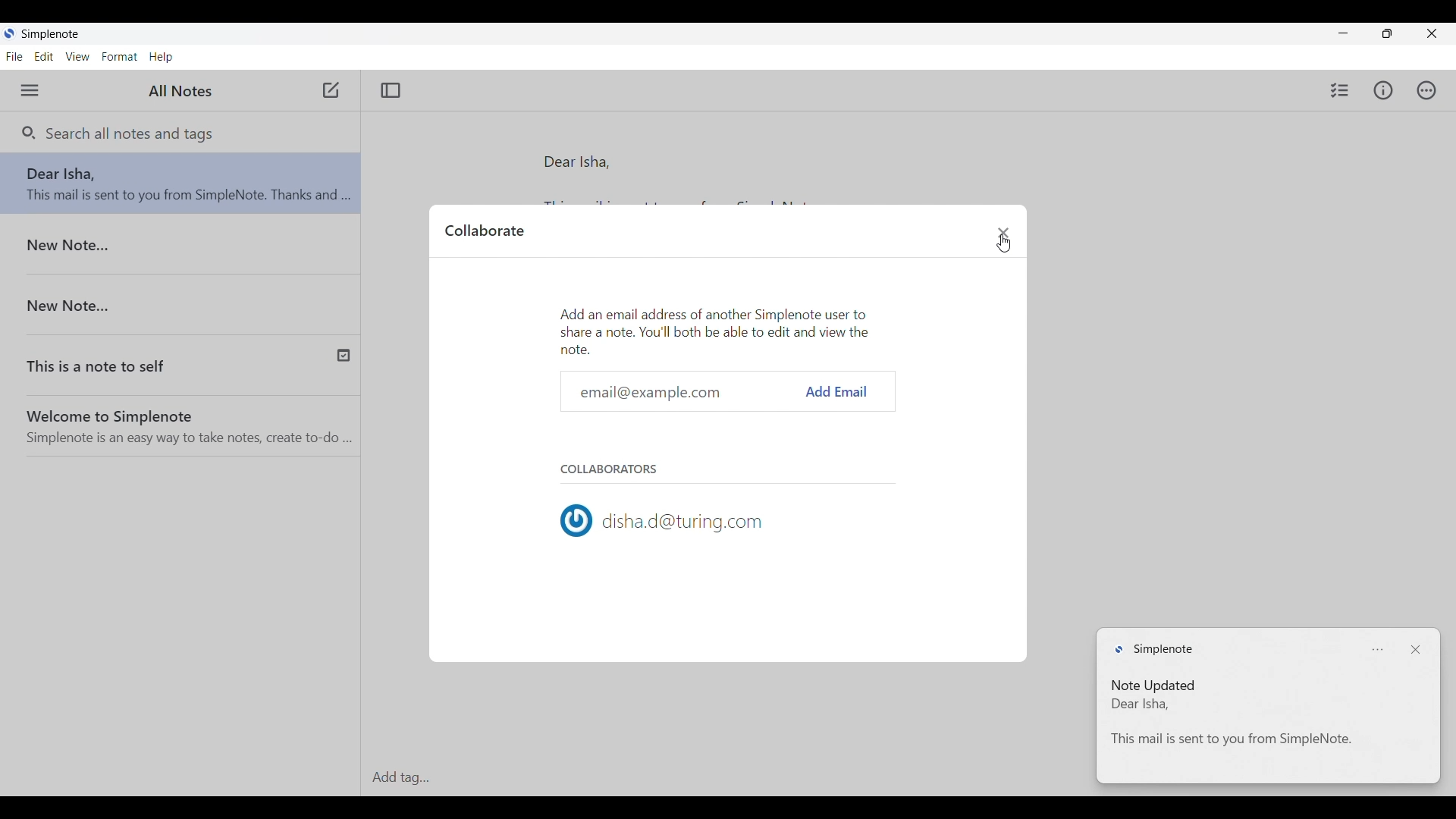  I want to click on Description of current window, so click(716, 329).